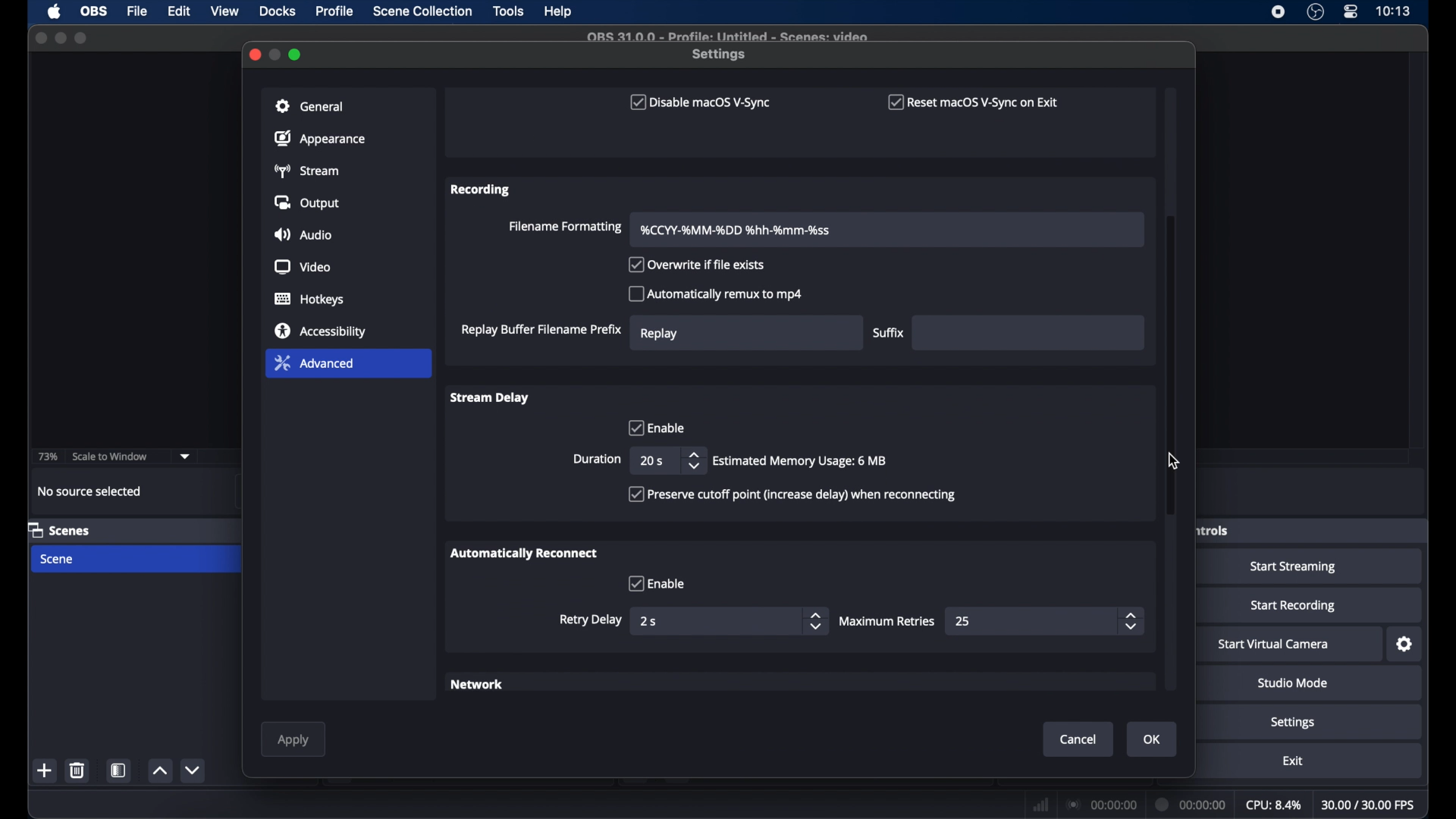 Image resolution: width=1456 pixels, height=819 pixels. Describe the element at coordinates (59, 529) in the screenshot. I see `scenes` at that location.